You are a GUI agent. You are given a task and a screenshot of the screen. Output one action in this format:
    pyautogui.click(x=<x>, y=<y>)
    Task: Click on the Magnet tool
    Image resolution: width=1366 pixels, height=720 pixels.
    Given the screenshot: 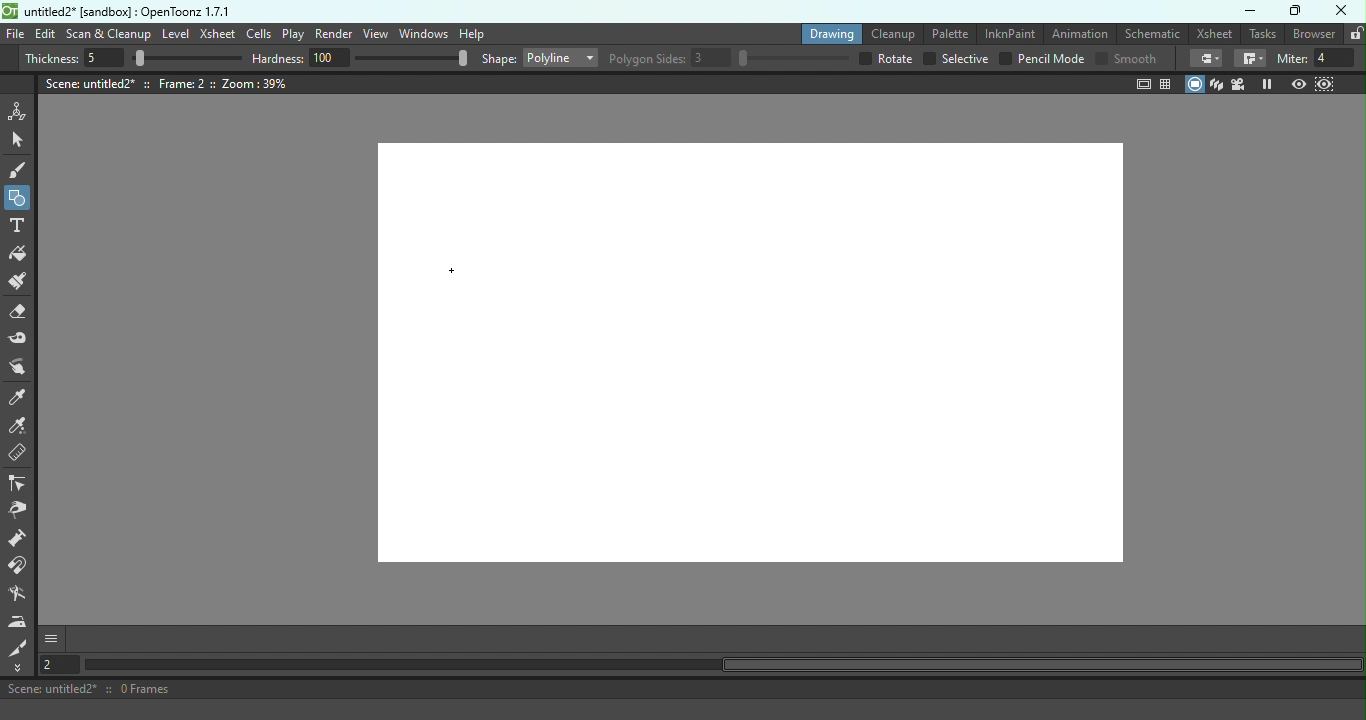 What is the action you would take?
    pyautogui.click(x=21, y=568)
    